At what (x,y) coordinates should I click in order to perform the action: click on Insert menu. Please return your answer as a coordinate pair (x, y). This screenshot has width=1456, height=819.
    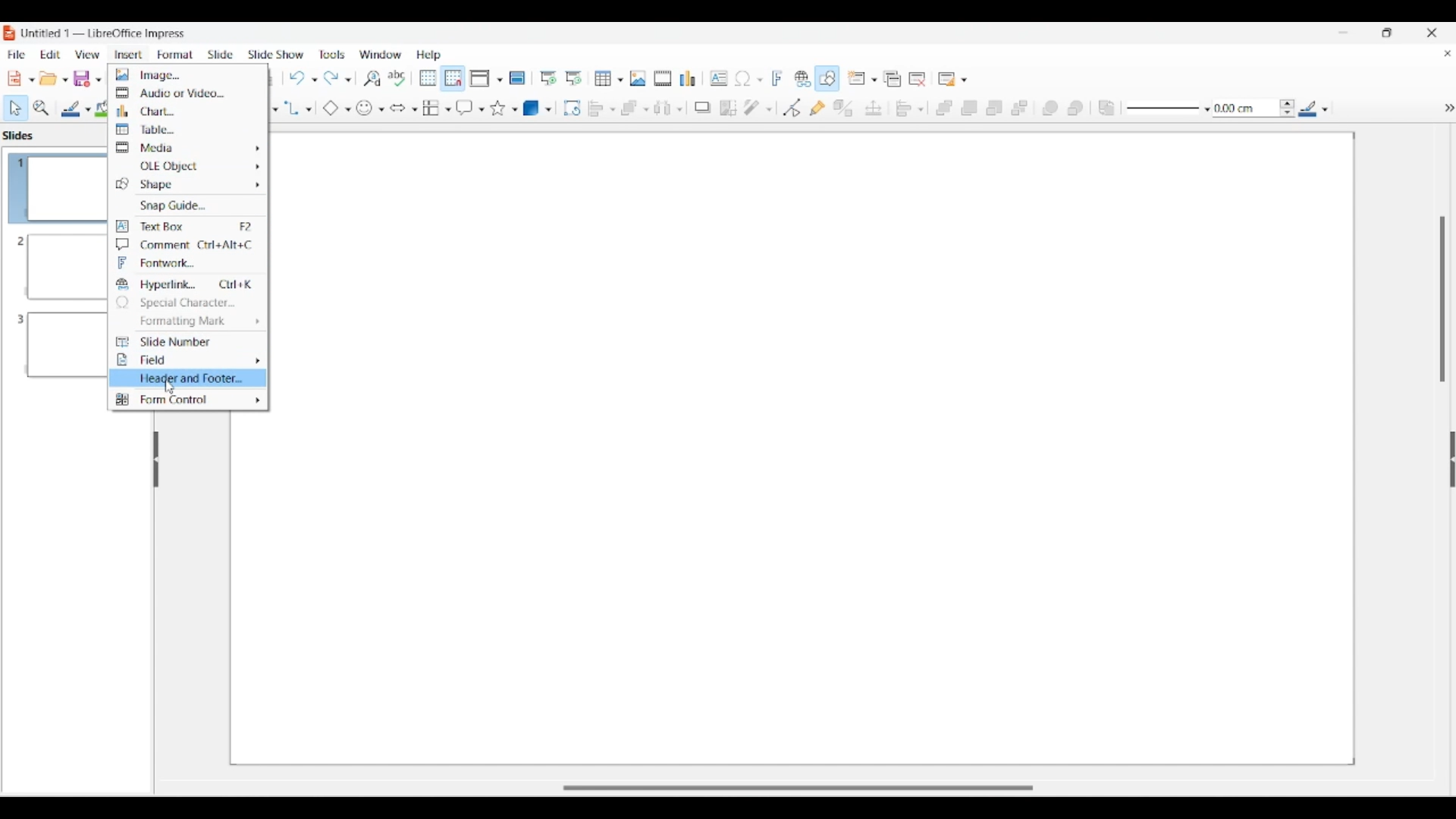
    Looking at the image, I should click on (128, 55).